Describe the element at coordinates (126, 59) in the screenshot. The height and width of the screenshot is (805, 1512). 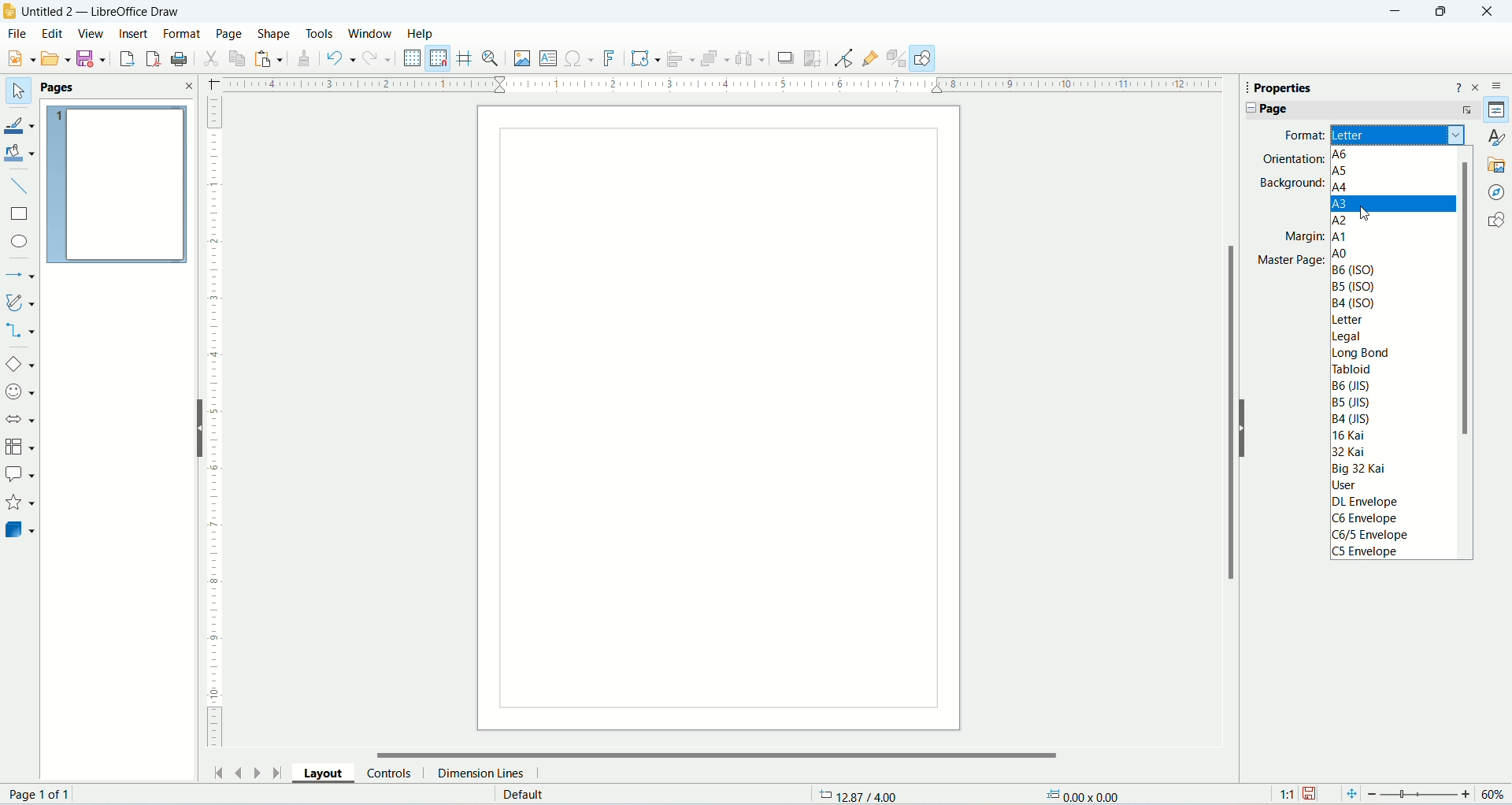
I see `export` at that location.